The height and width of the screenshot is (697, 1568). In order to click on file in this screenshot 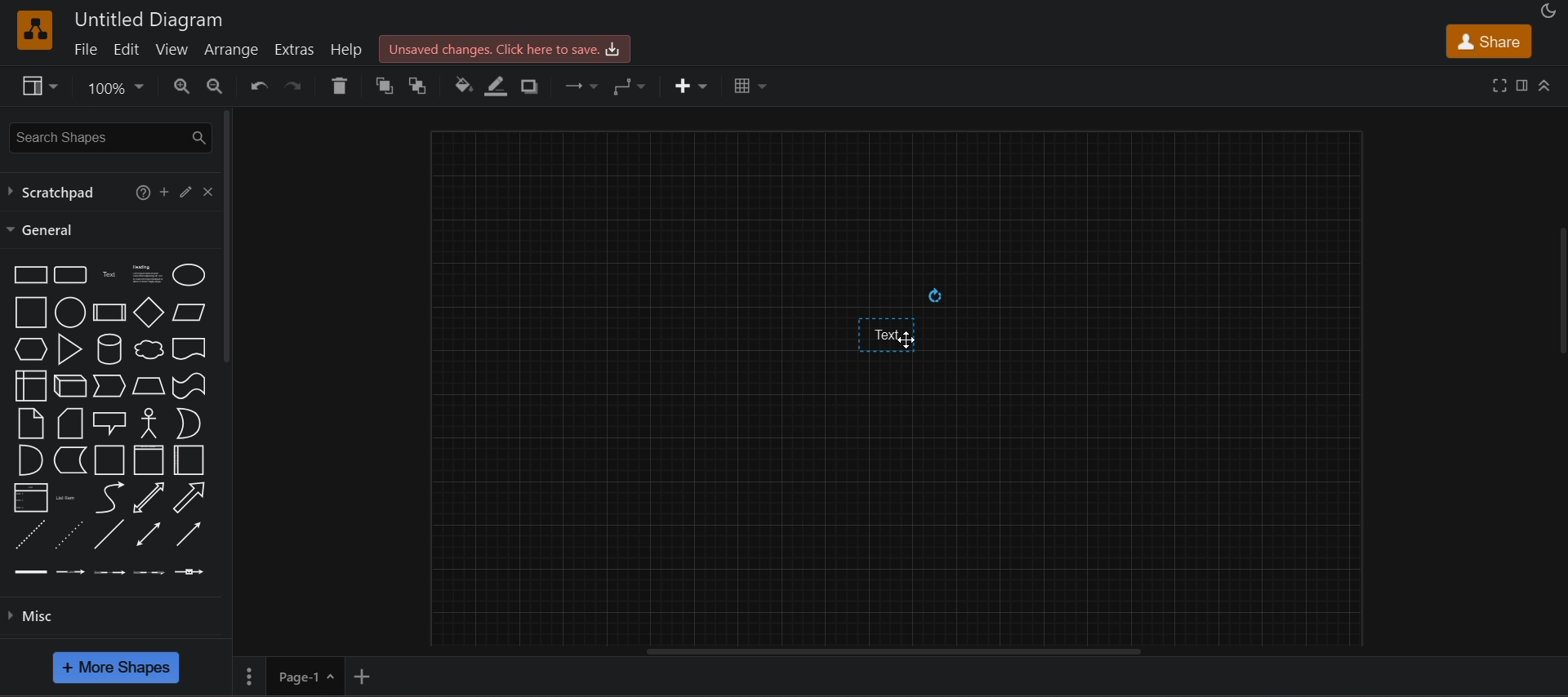, I will do `click(85, 48)`.